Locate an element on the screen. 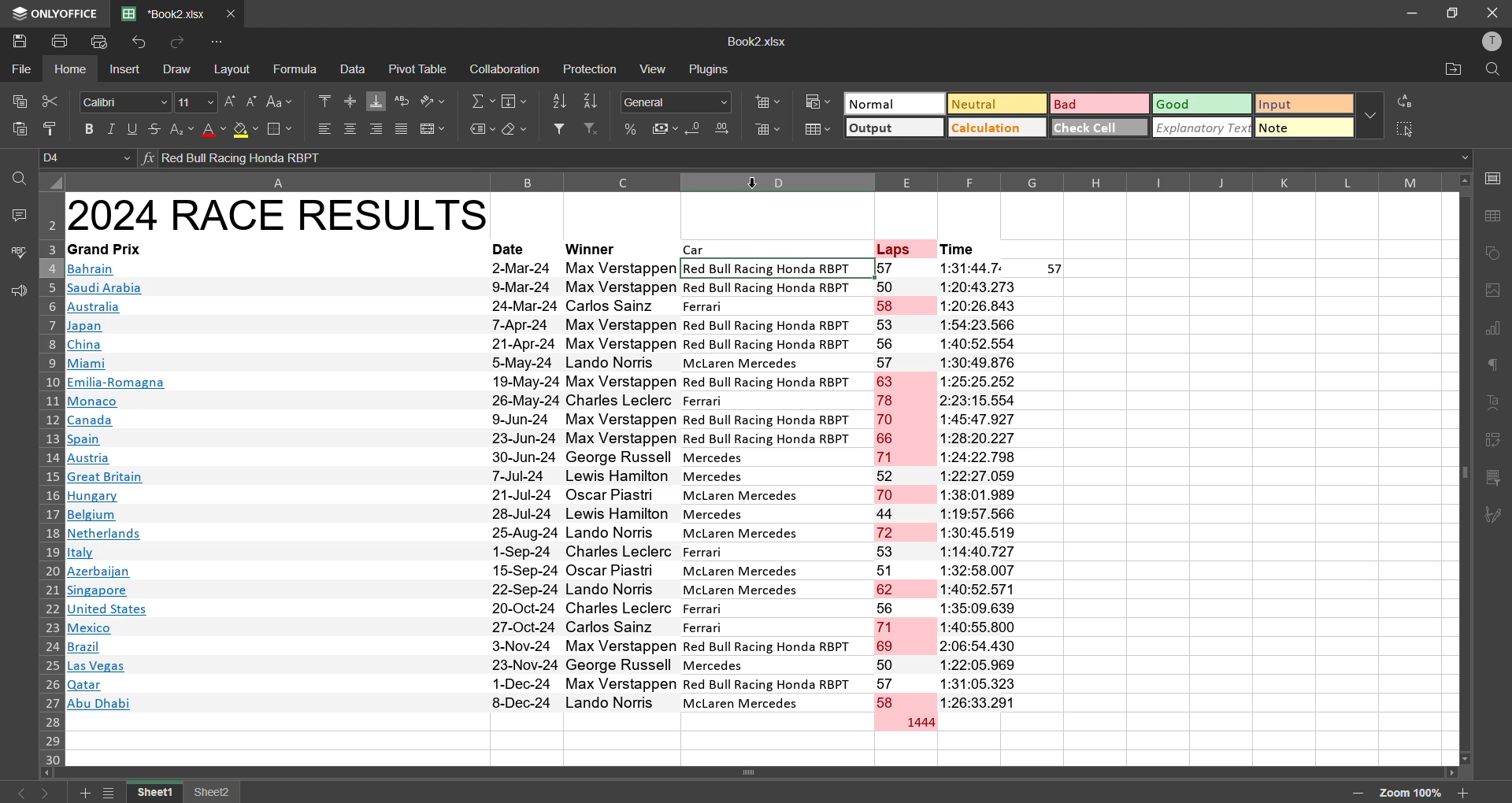  sheet list is located at coordinates (112, 794).